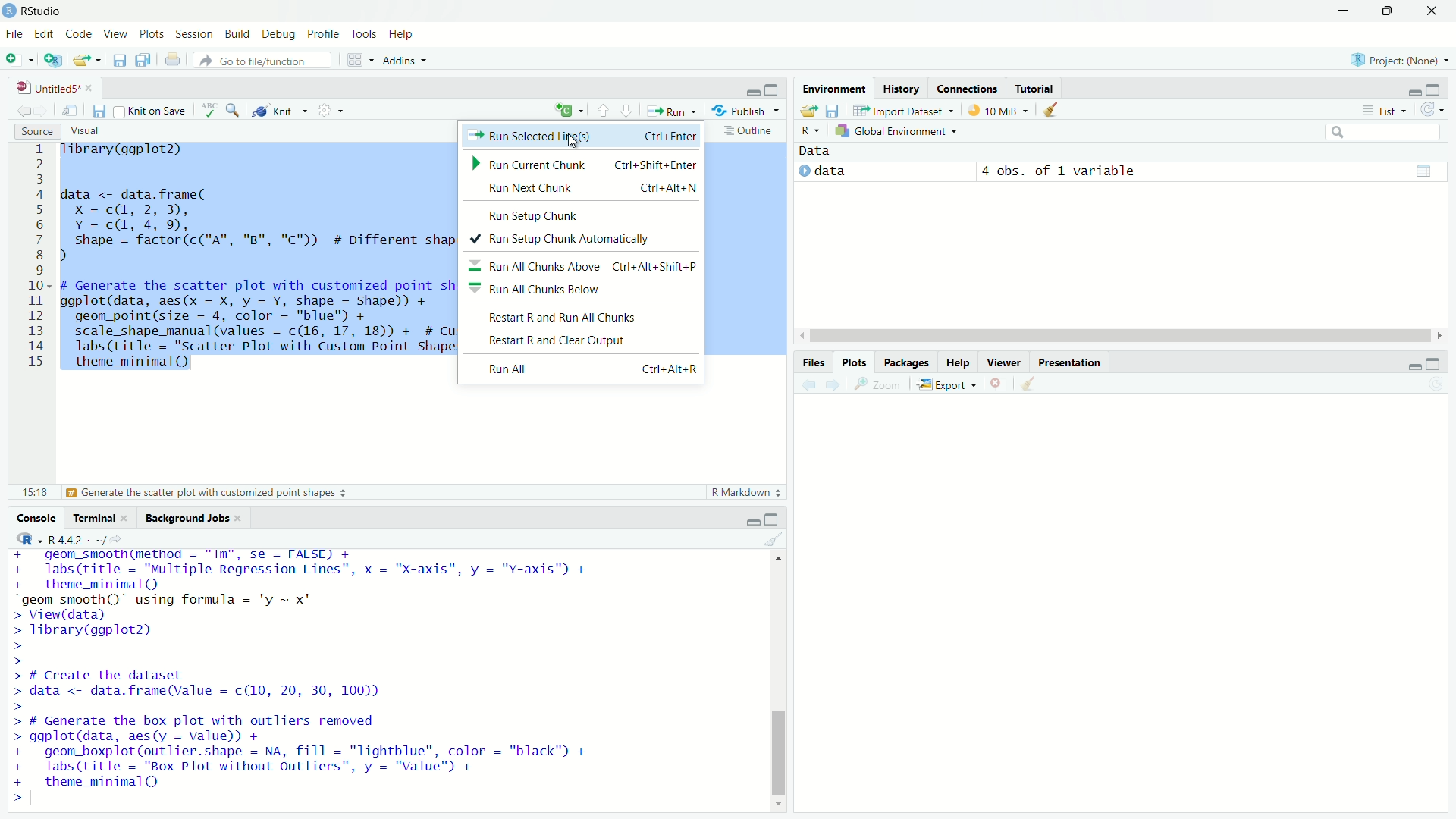  I want to click on Find/Replace, so click(234, 110).